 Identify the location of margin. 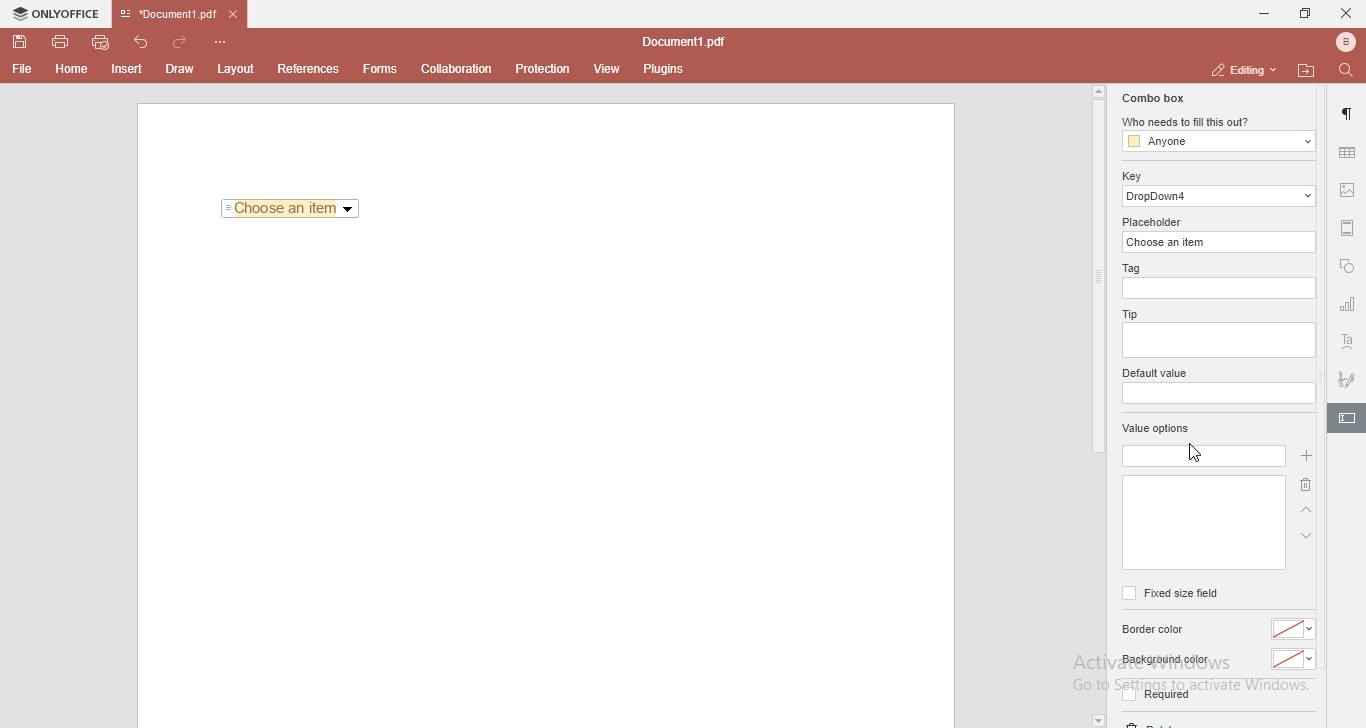
(1348, 226).